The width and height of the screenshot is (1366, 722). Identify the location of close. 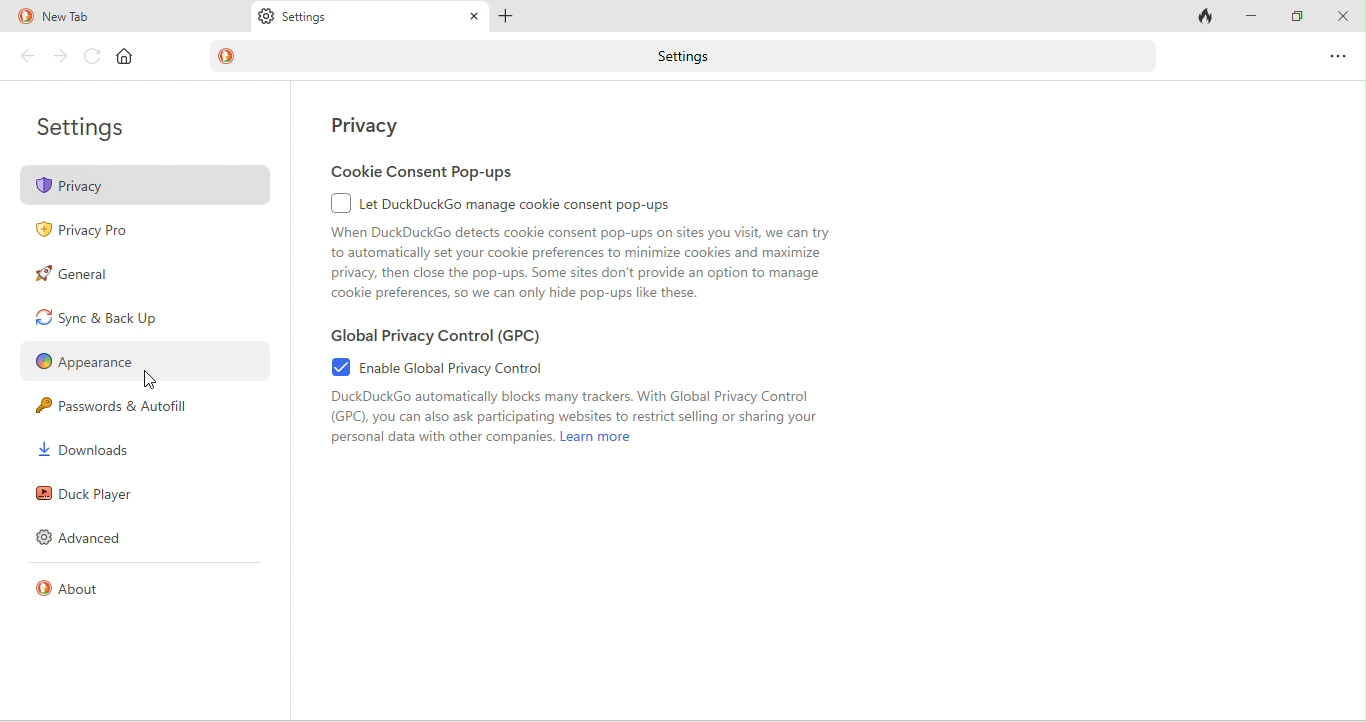
(1343, 18).